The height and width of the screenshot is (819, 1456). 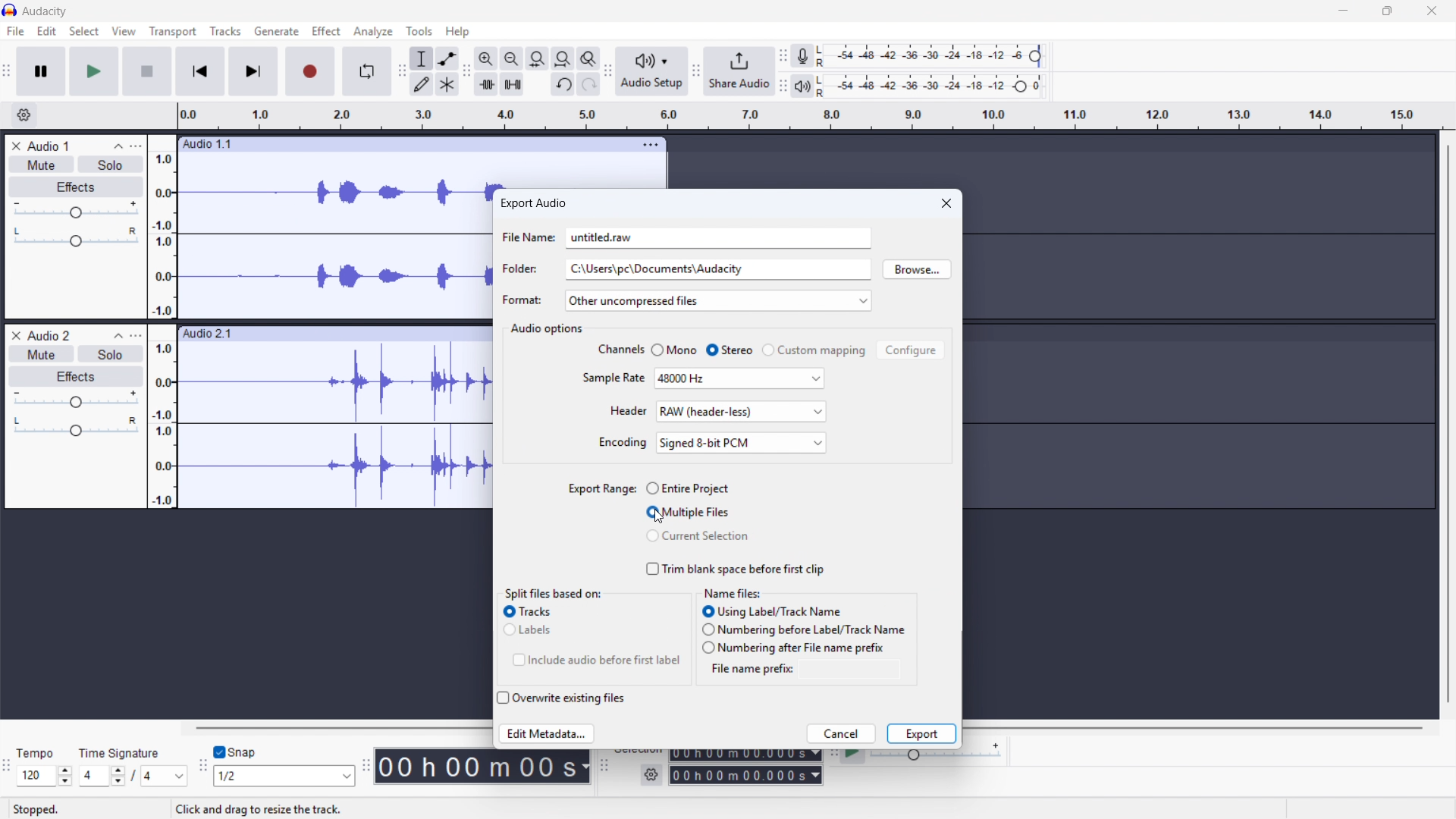 What do you see at coordinates (802, 56) in the screenshot?
I see `Recording metre` at bounding box center [802, 56].